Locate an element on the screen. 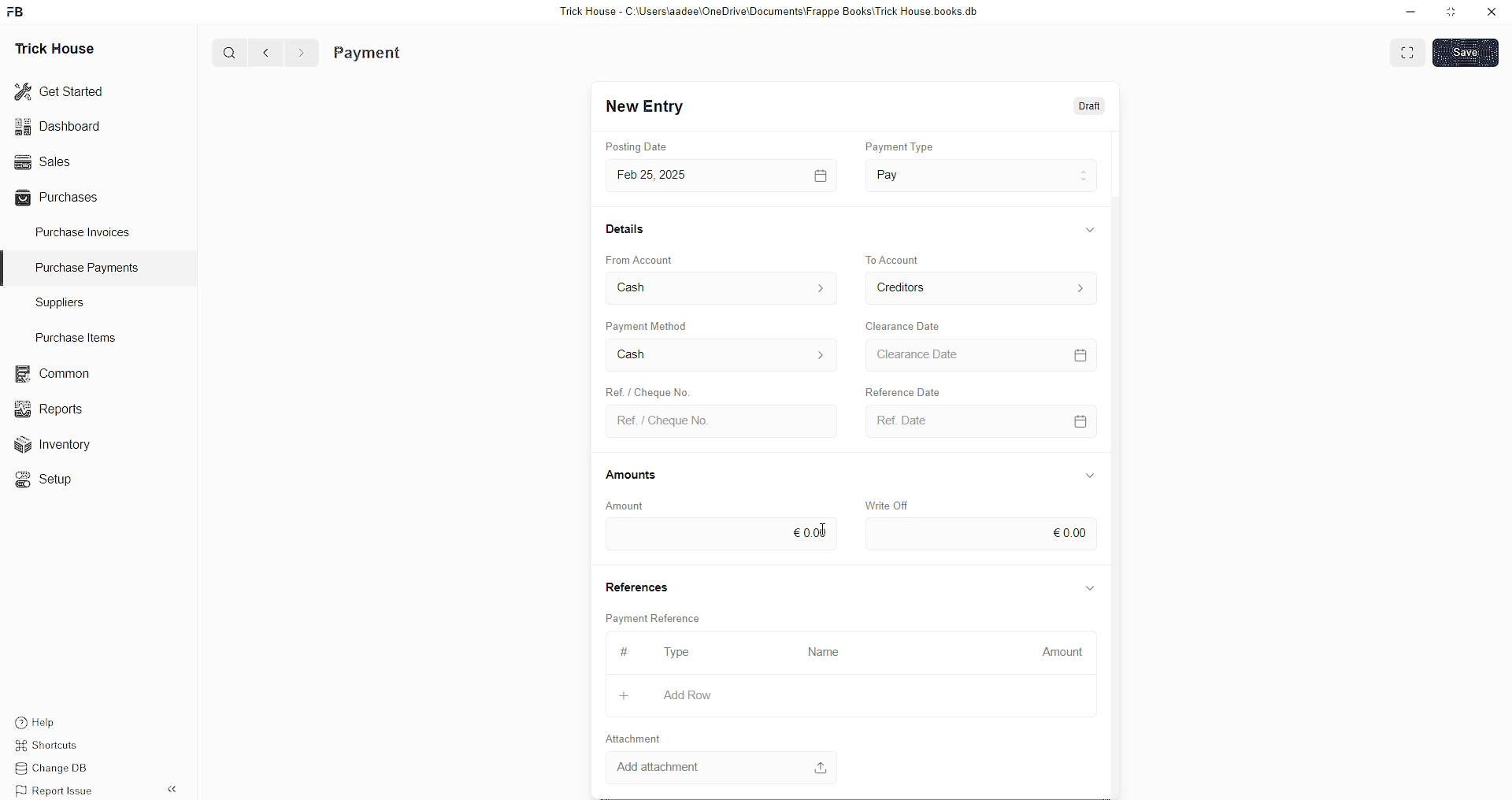  Payment Method is located at coordinates (677, 324).